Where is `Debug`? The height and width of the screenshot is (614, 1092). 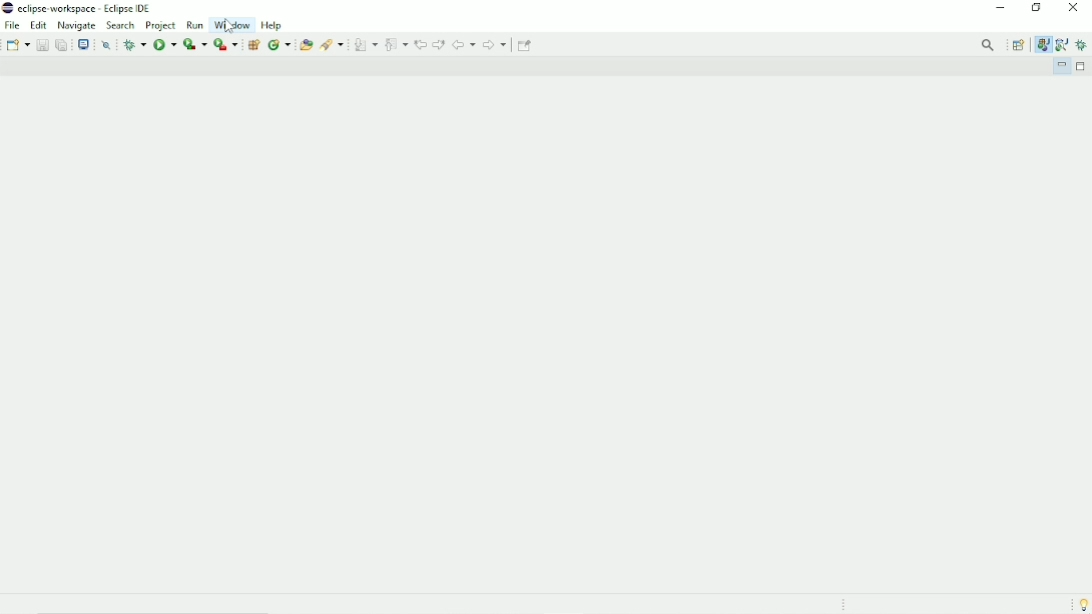 Debug is located at coordinates (1082, 45).